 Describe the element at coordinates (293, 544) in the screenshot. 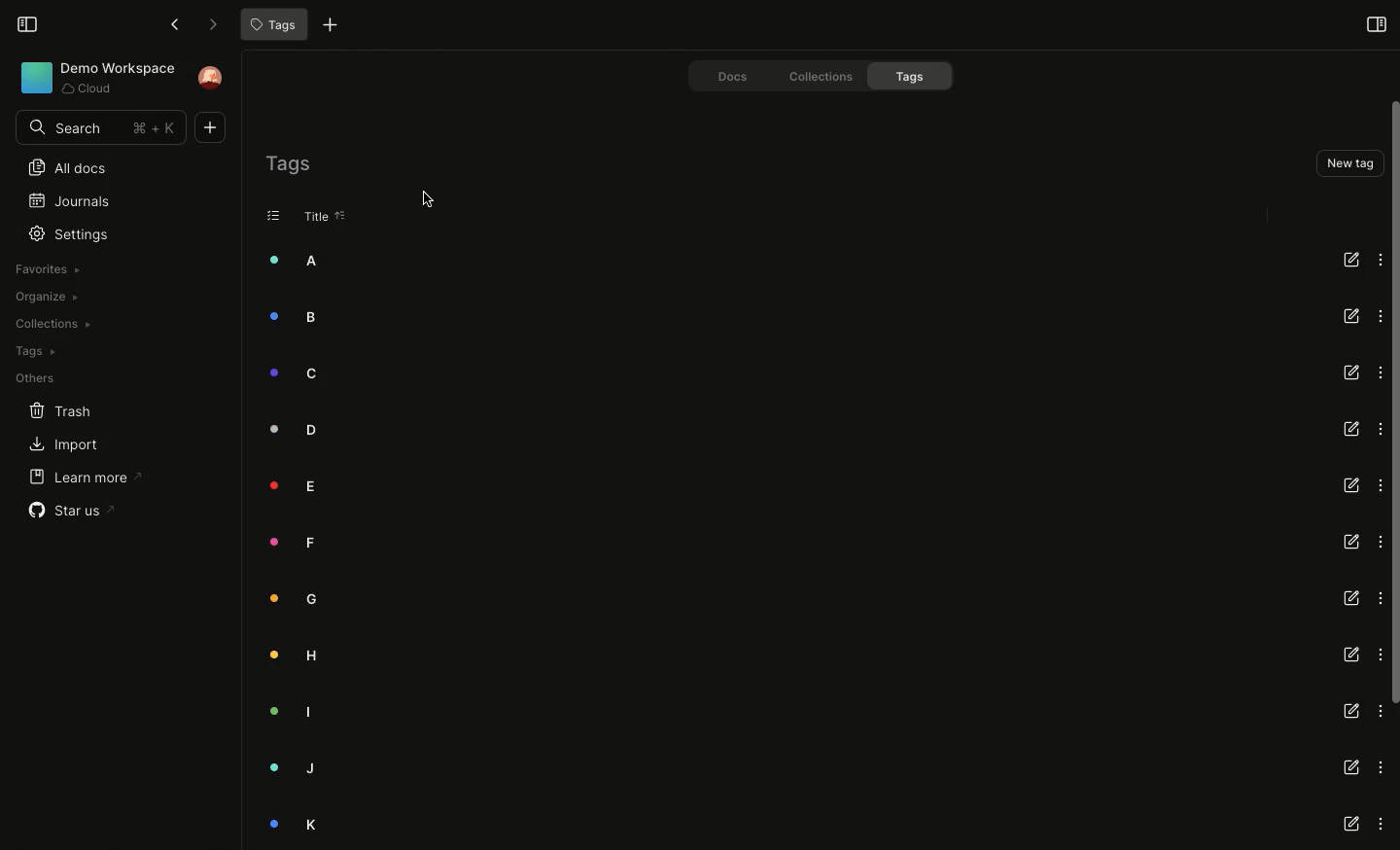

I see `F` at that location.